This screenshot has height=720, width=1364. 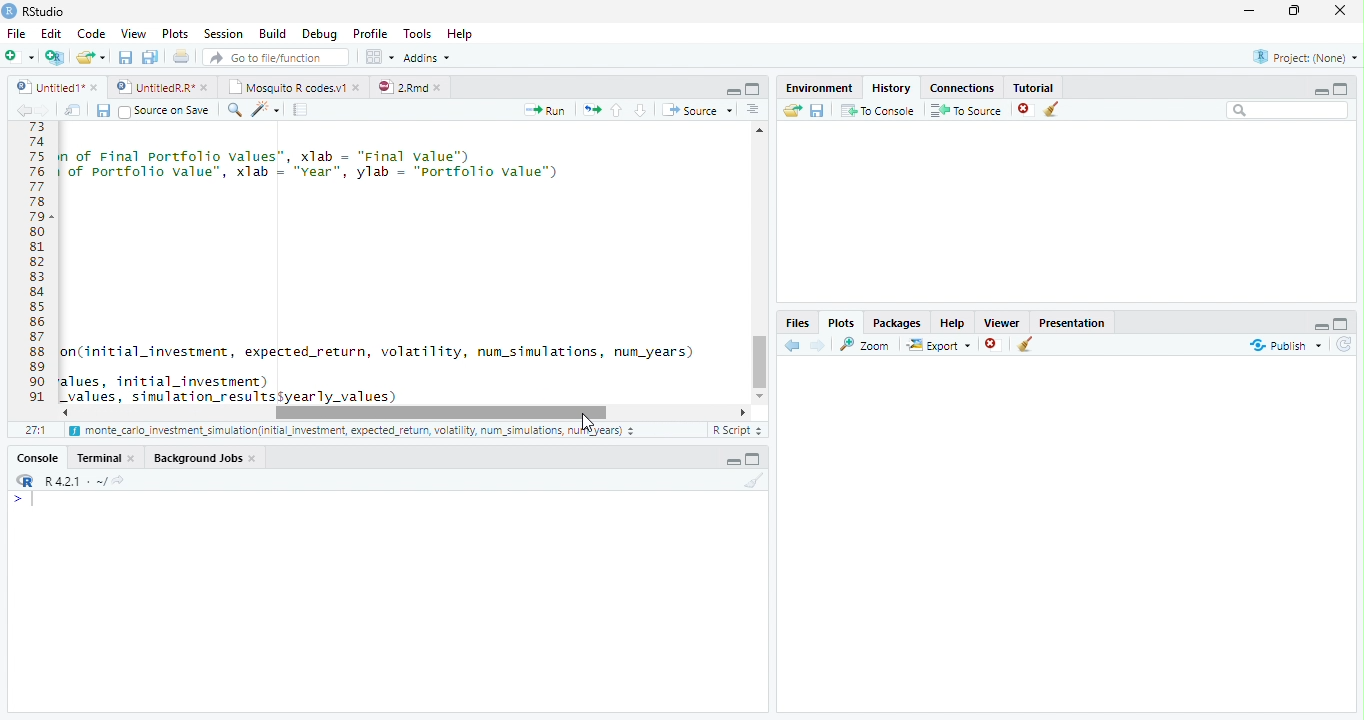 I want to click on Re-run the previous code region, so click(x=590, y=110).